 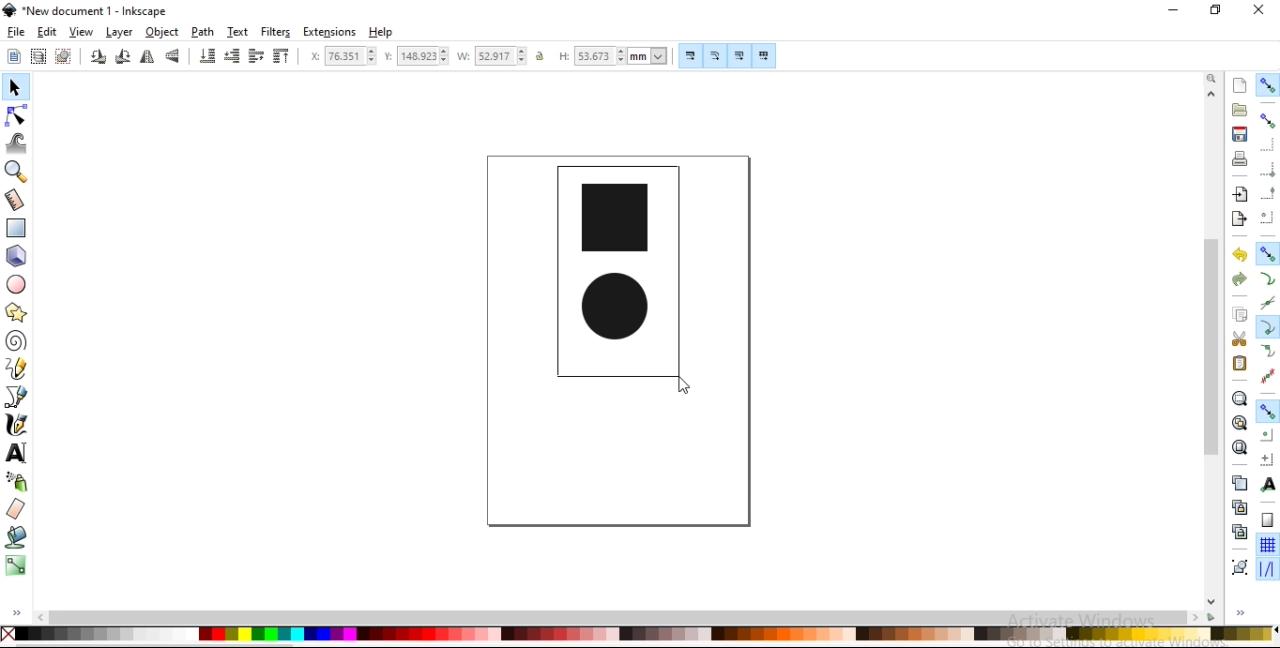 What do you see at coordinates (203, 31) in the screenshot?
I see `path` at bounding box center [203, 31].